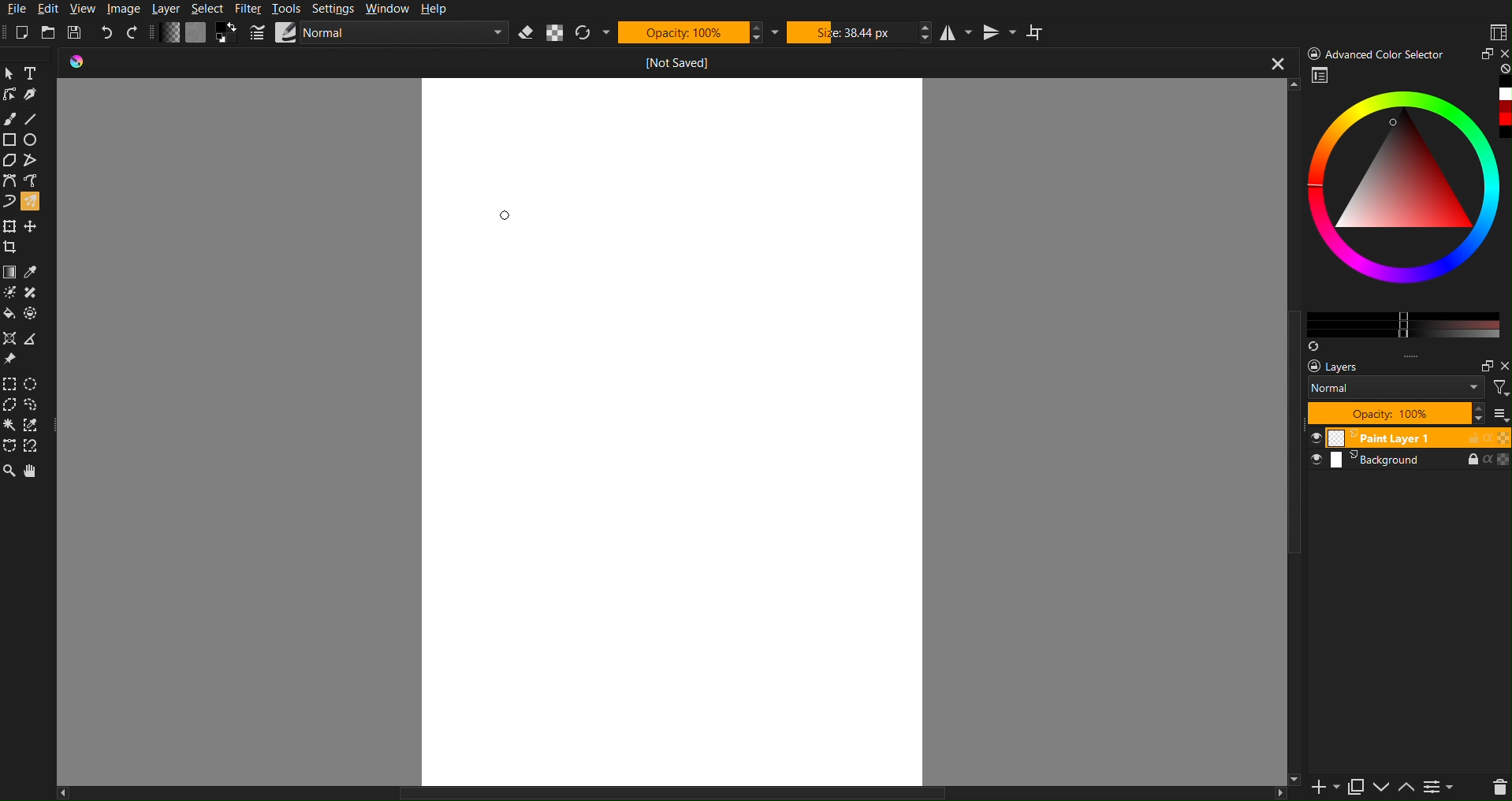  I want to click on Similar color selection Tool, so click(38, 425).